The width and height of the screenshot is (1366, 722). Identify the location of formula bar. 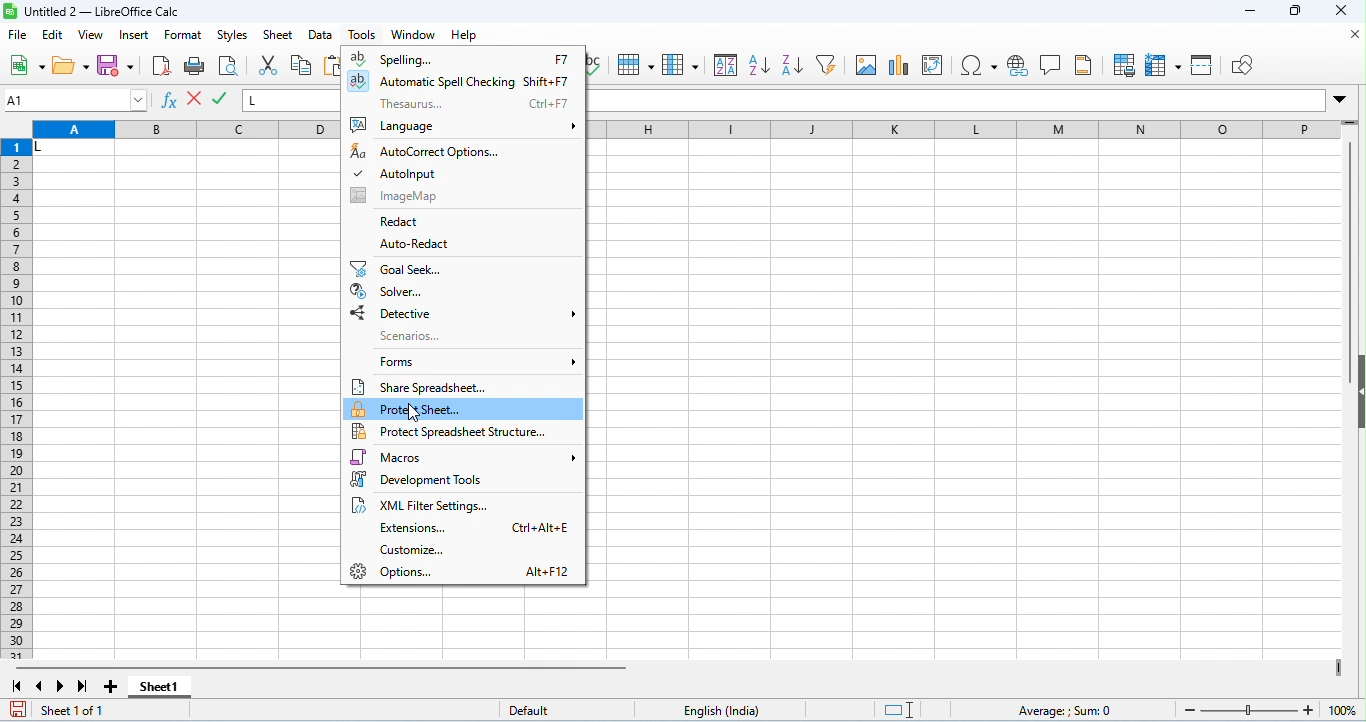
(291, 100).